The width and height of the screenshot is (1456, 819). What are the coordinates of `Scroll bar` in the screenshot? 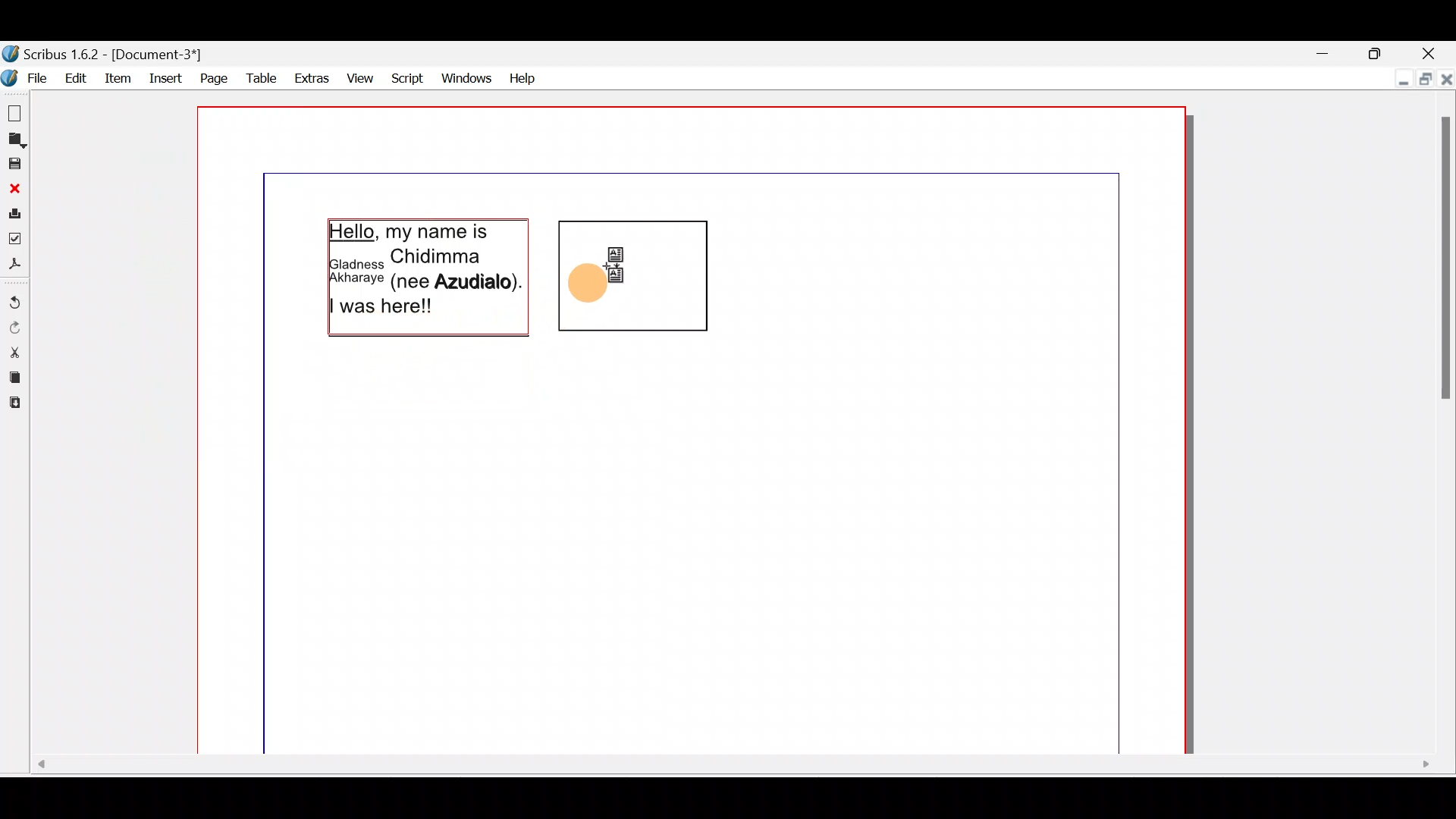 It's located at (1442, 425).